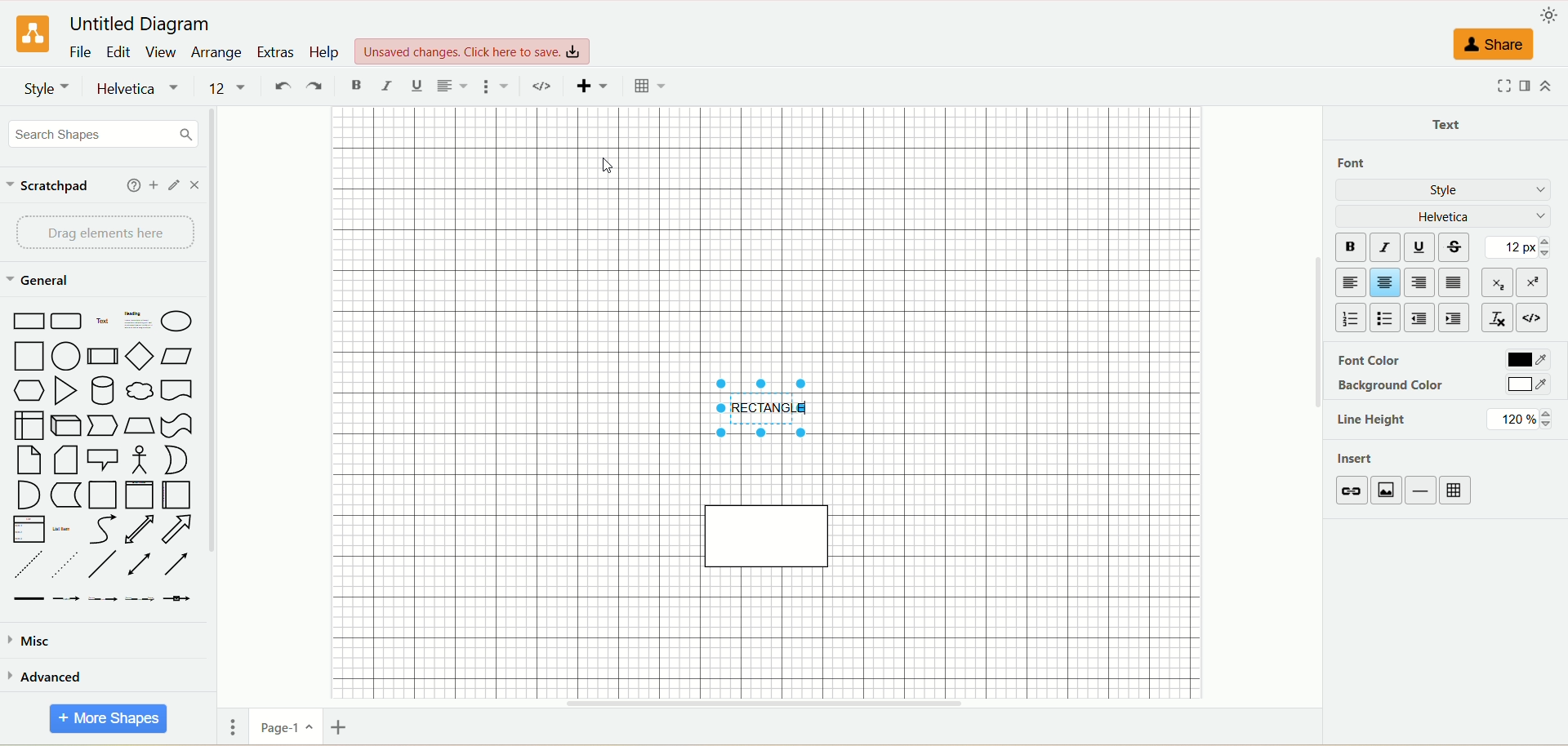 The width and height of the screenshot is (1568, 746). I want to click on trapezoid, so click(138, 425).